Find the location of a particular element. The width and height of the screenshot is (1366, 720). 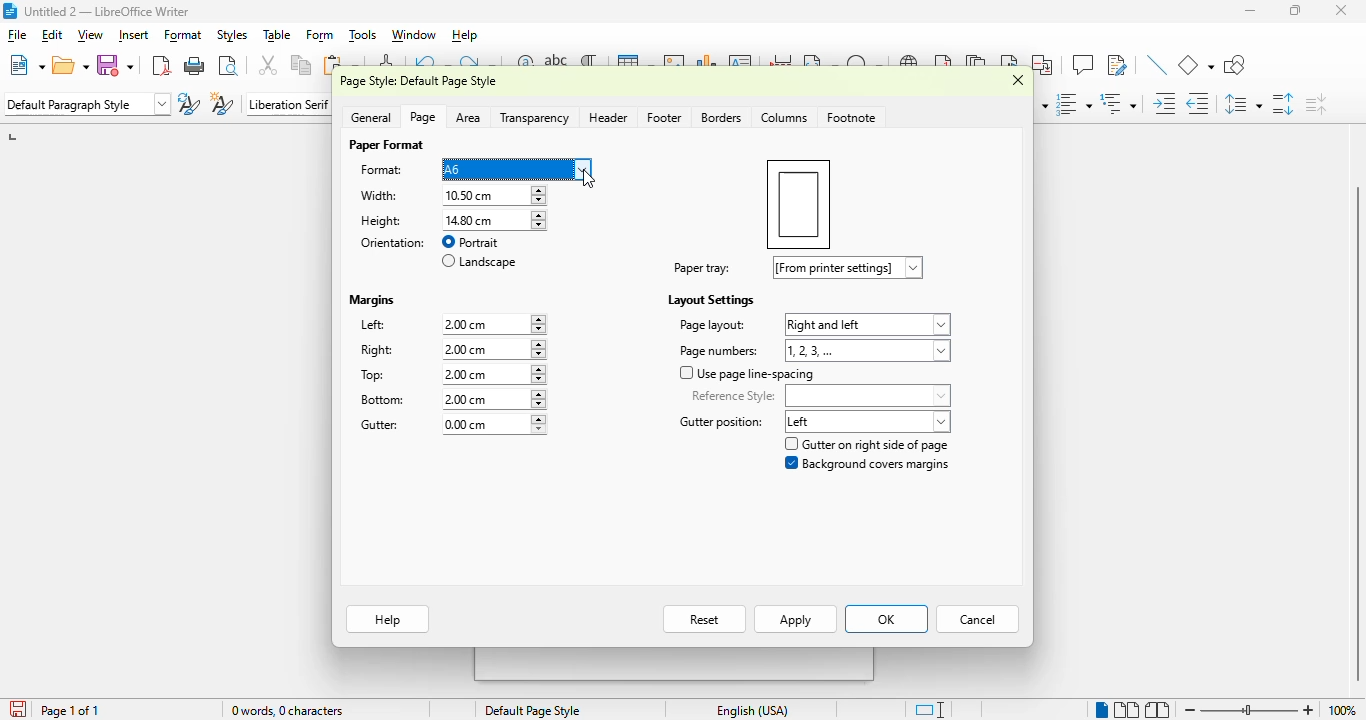

insert cross-reference is located at coordinates (1041, 65).